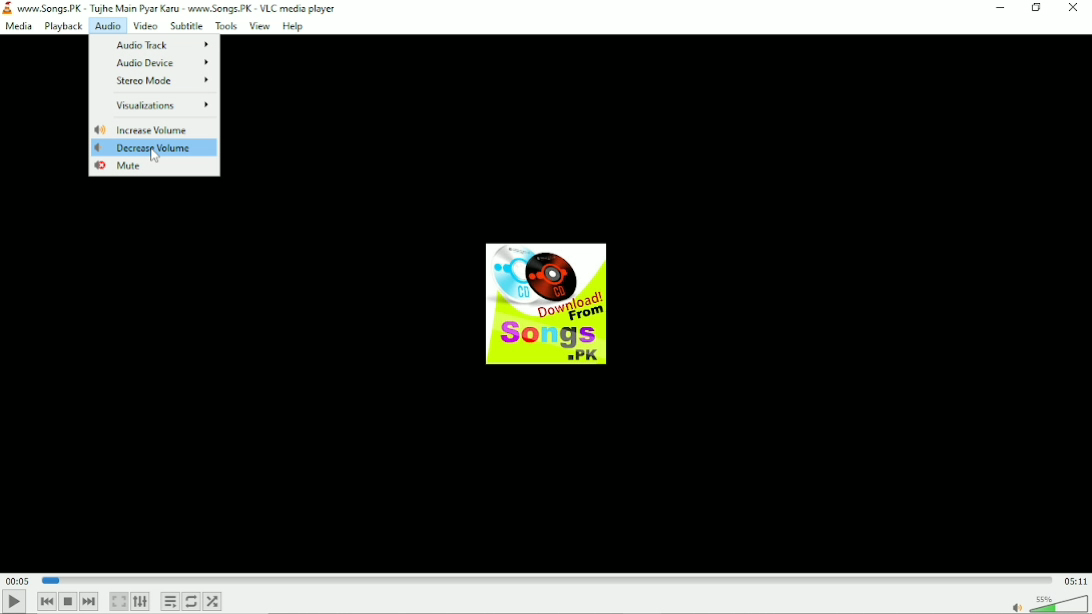 This screenshot has height=614, width=1092. What do you see at coordinates (158, 43) in the screenshot?
I see `Audio track` at bounding box center [158, 43].